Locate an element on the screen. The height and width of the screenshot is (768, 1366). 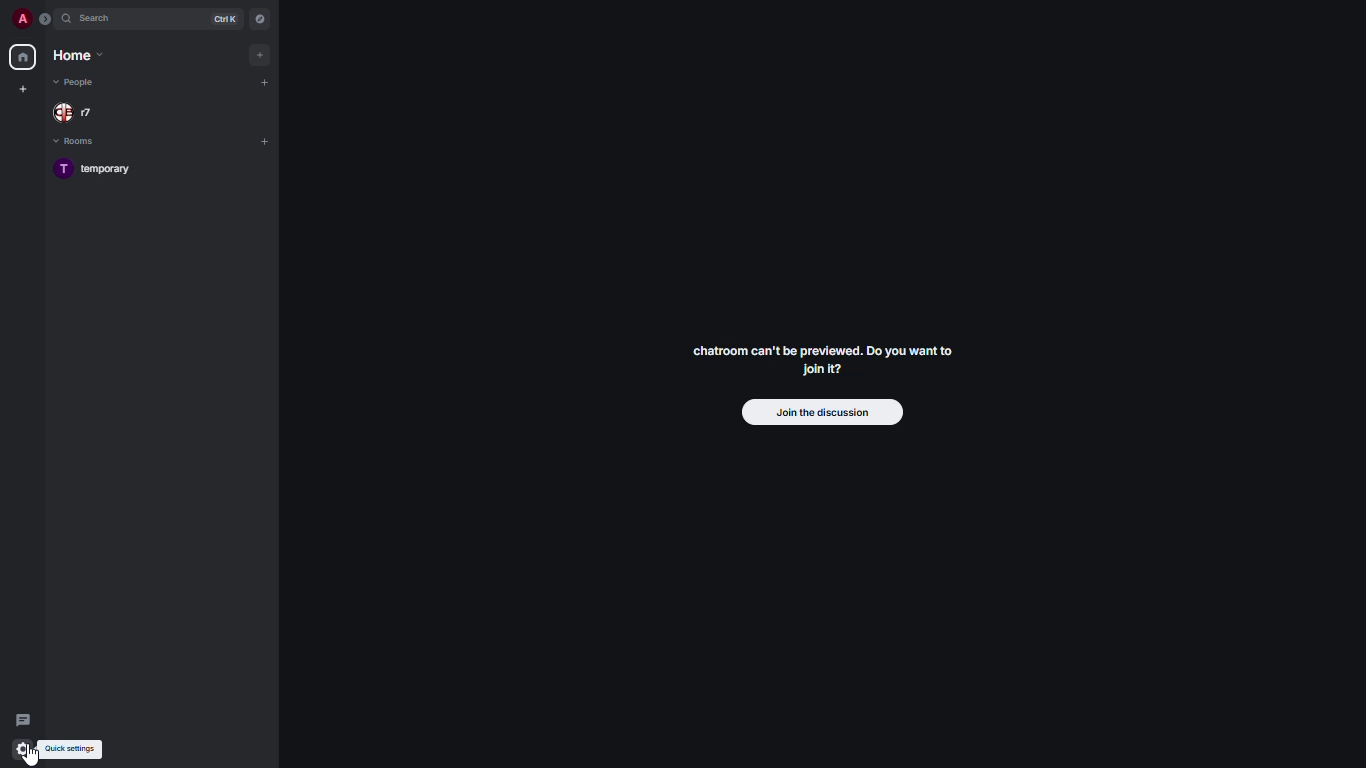
cursor is located at coordinates (32, 756).